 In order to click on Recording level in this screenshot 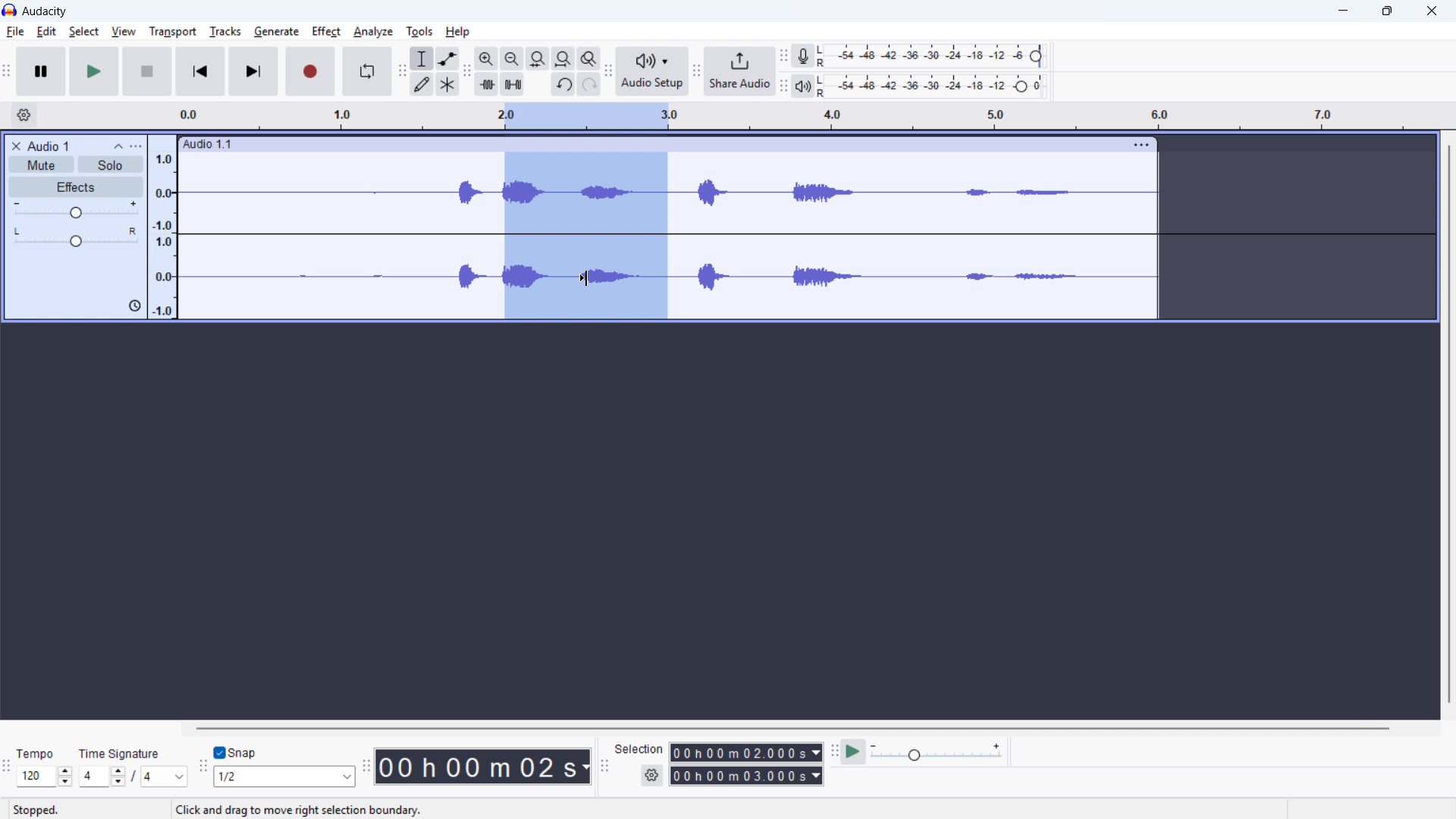, I will do `click(935, 56)`.